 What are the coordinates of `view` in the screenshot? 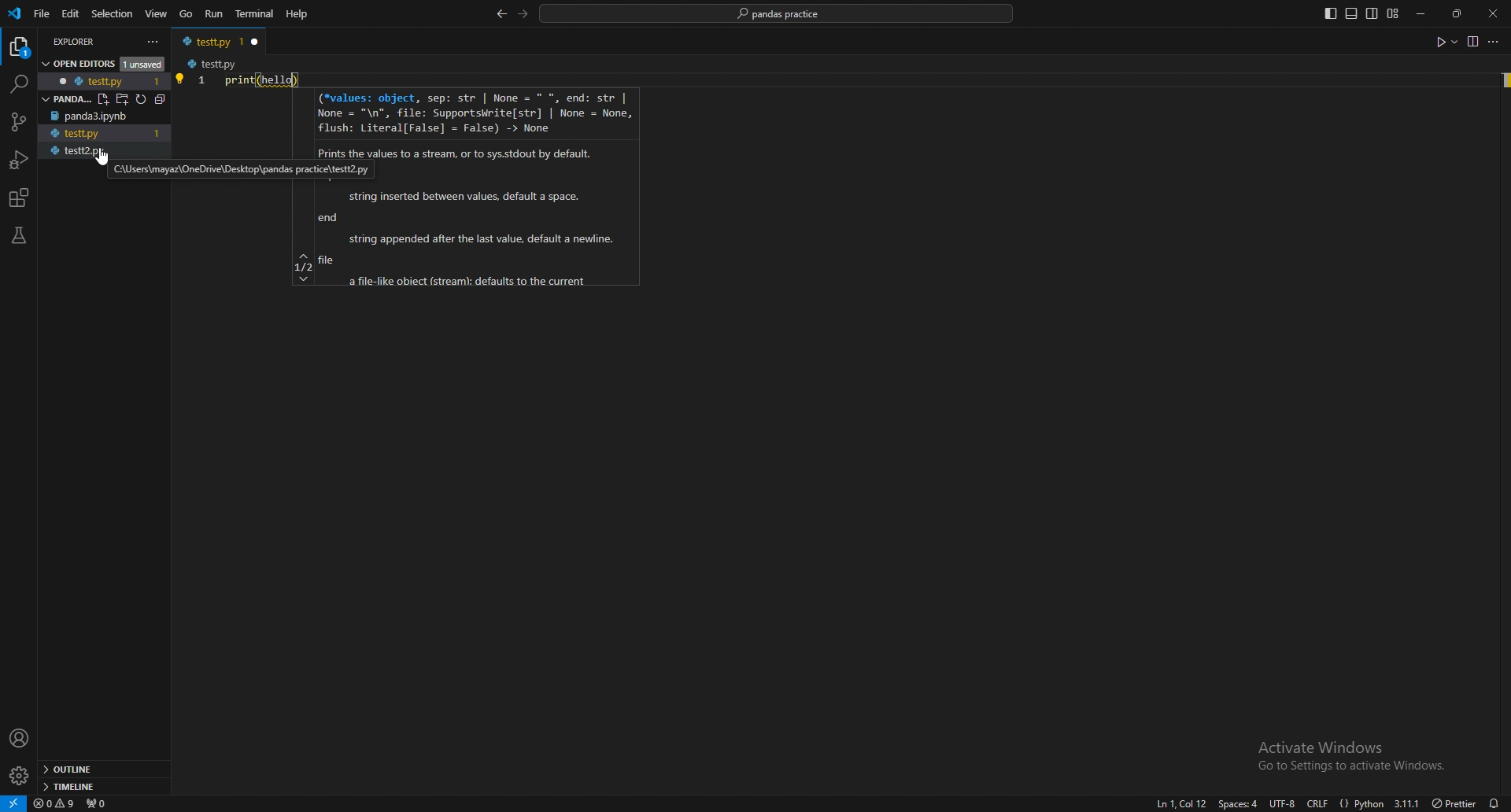 It's located at (157, 14).